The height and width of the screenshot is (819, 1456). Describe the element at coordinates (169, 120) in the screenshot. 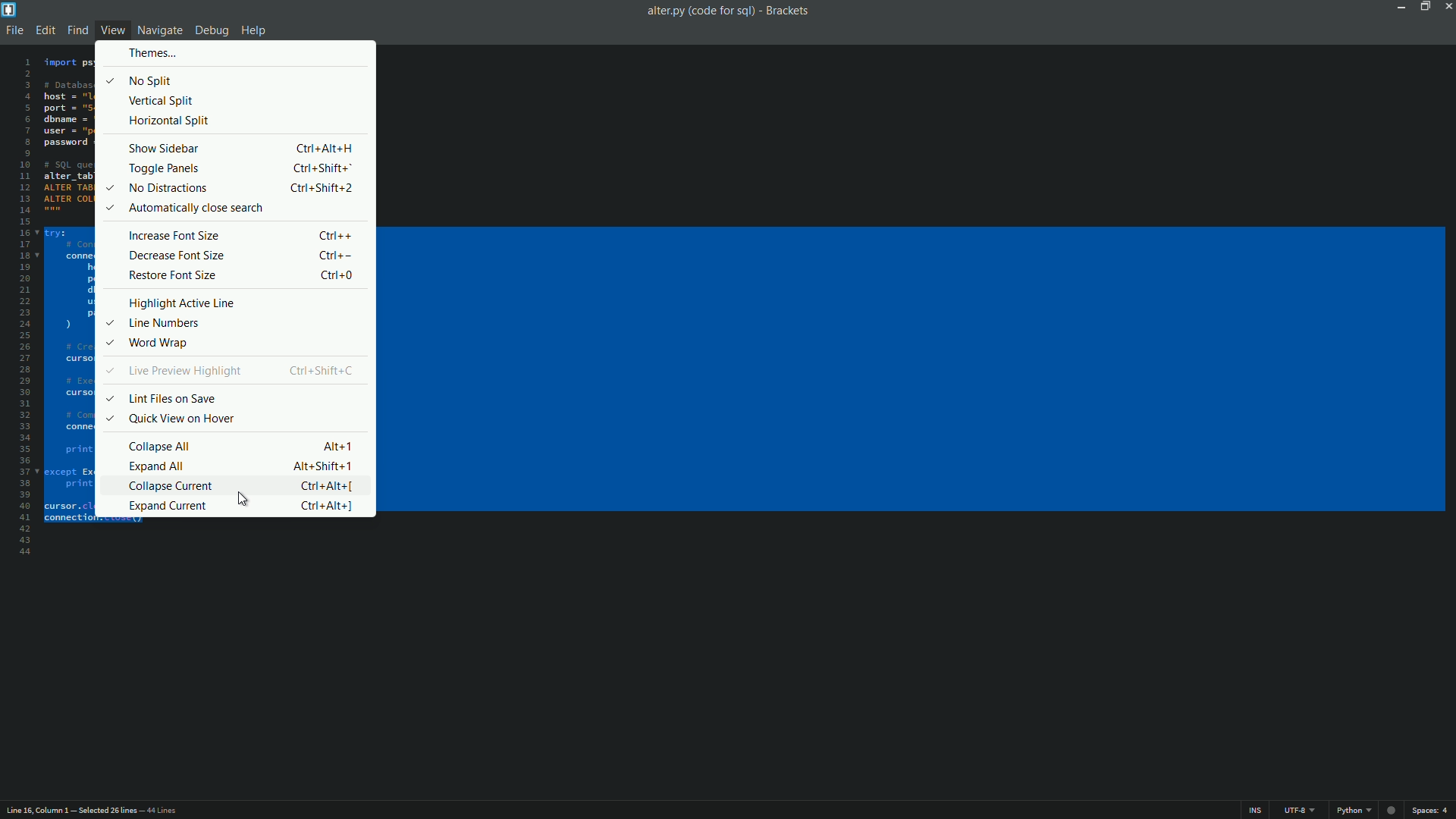

I see `horizontal split` at that location.